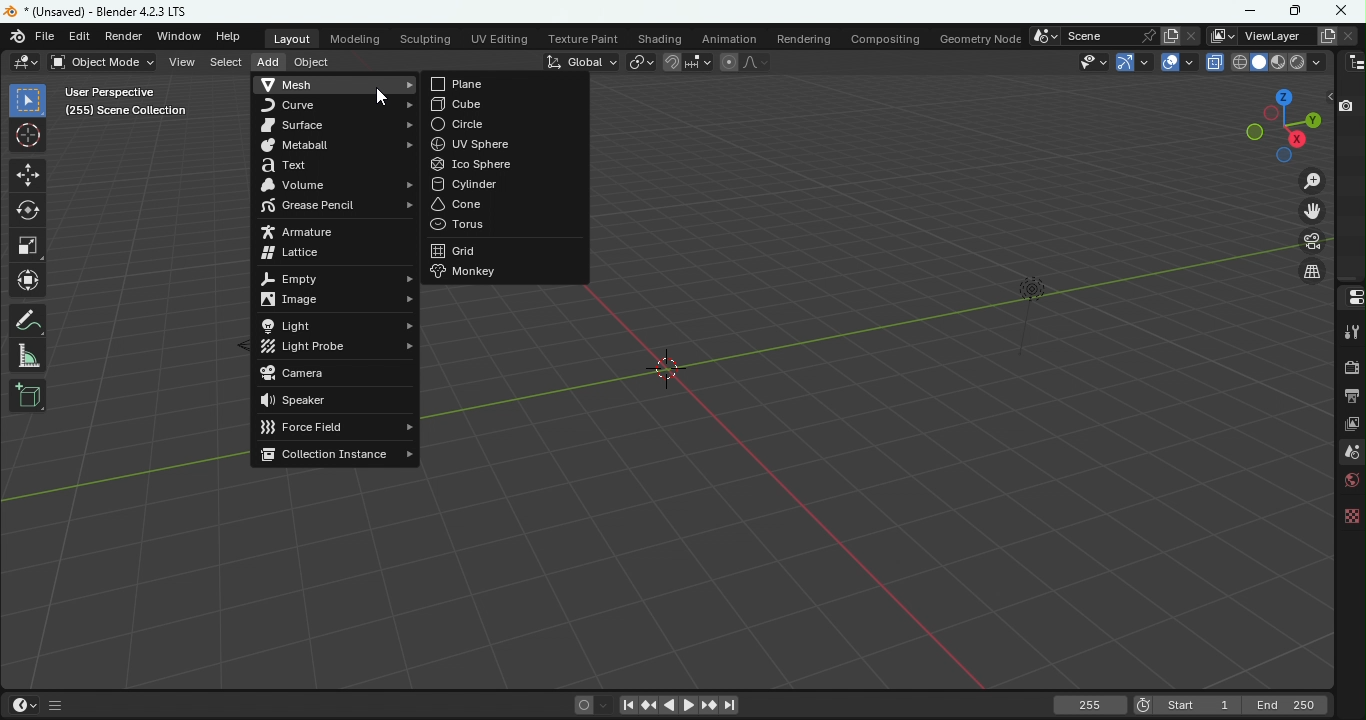 Image resolution: width=1366 pixels, height=720 pixels. Describe the element at coordinates (1297, 12) in the screenshot. I see `MAximize` at that location.